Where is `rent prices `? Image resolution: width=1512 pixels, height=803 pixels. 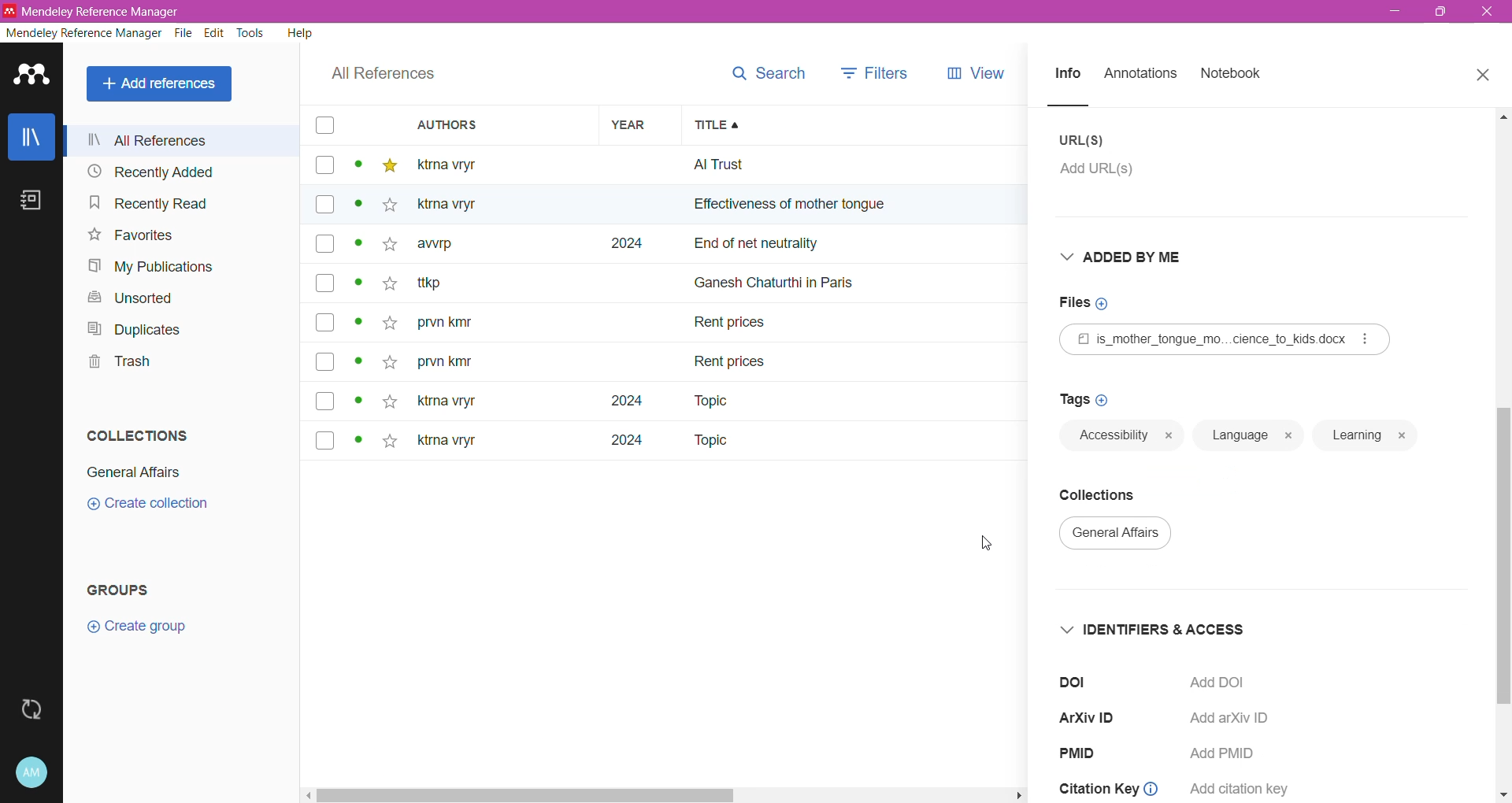 rent prices  is located at coordinates (732, 359).